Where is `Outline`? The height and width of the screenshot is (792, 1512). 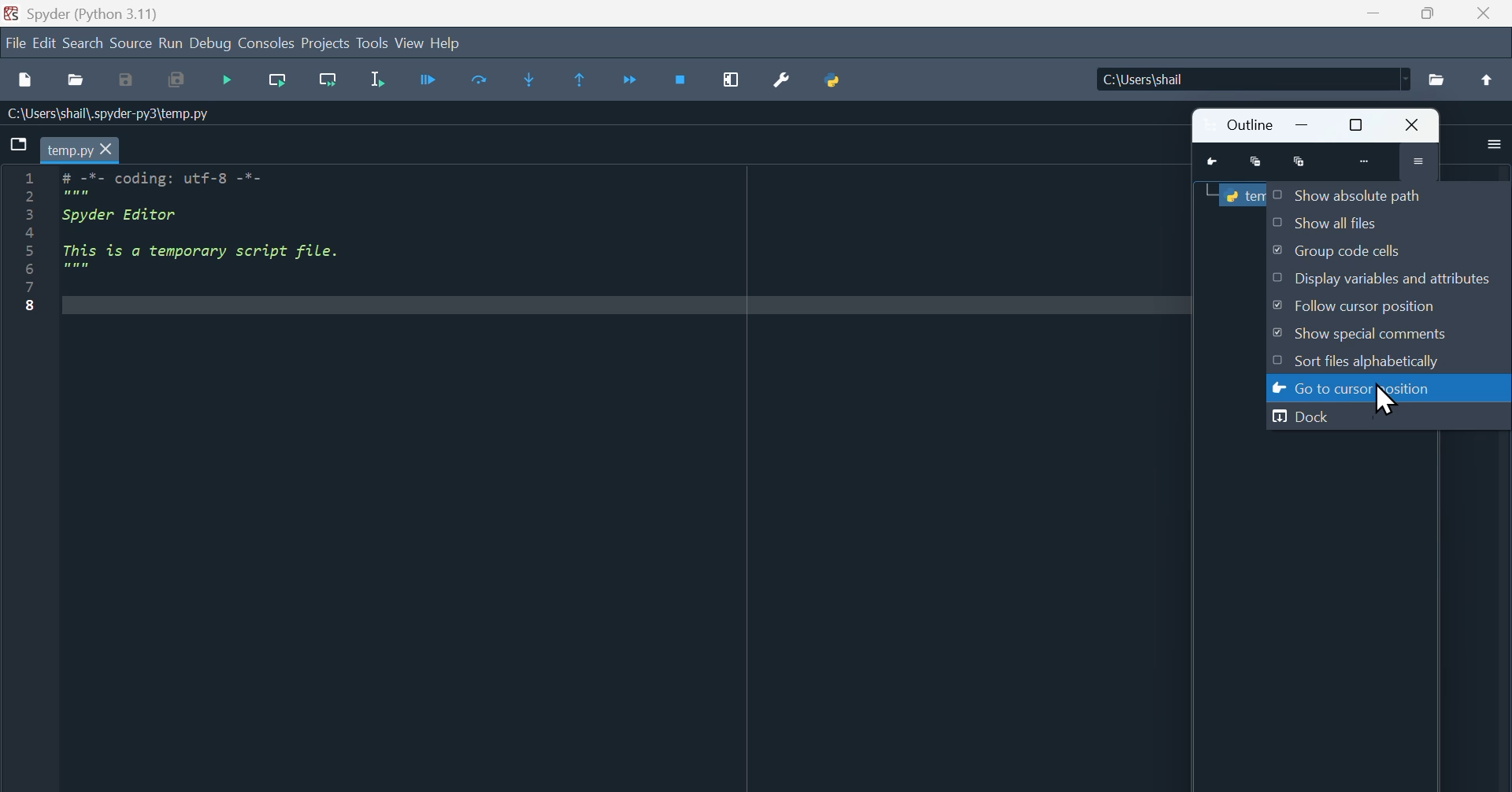 Outline is located at coordinates (1247, 125).